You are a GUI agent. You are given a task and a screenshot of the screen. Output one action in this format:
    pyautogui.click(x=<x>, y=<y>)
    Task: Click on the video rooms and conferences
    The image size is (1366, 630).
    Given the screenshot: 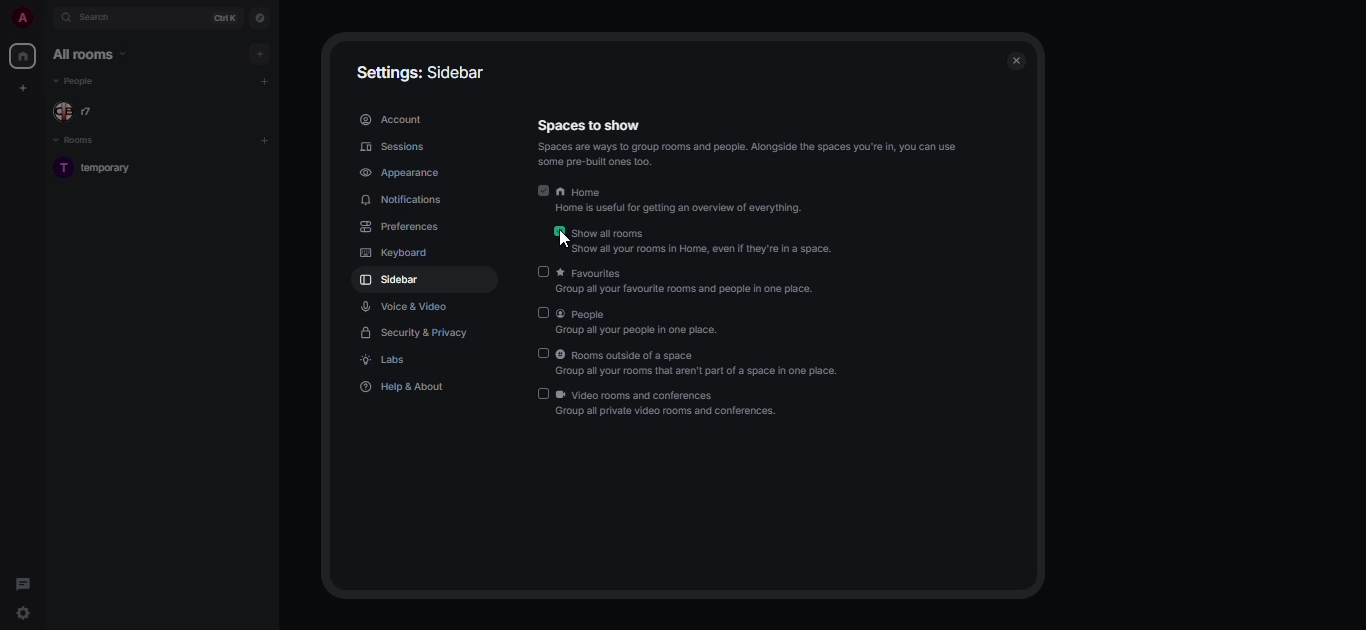 What is the action you would take?
    pyautogui.click(x=666, y=406)
    